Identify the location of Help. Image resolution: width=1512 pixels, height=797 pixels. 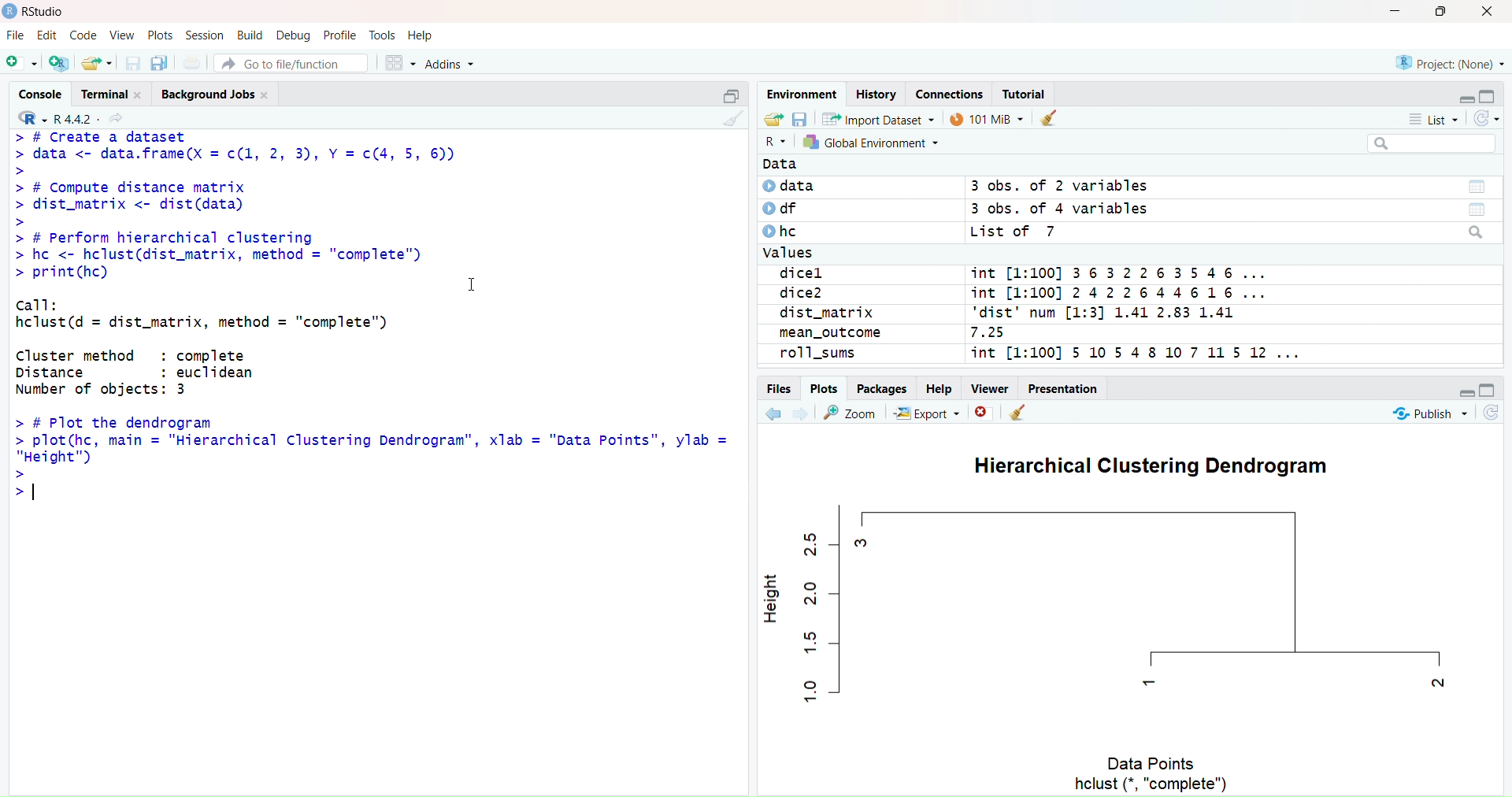
(939, 387).